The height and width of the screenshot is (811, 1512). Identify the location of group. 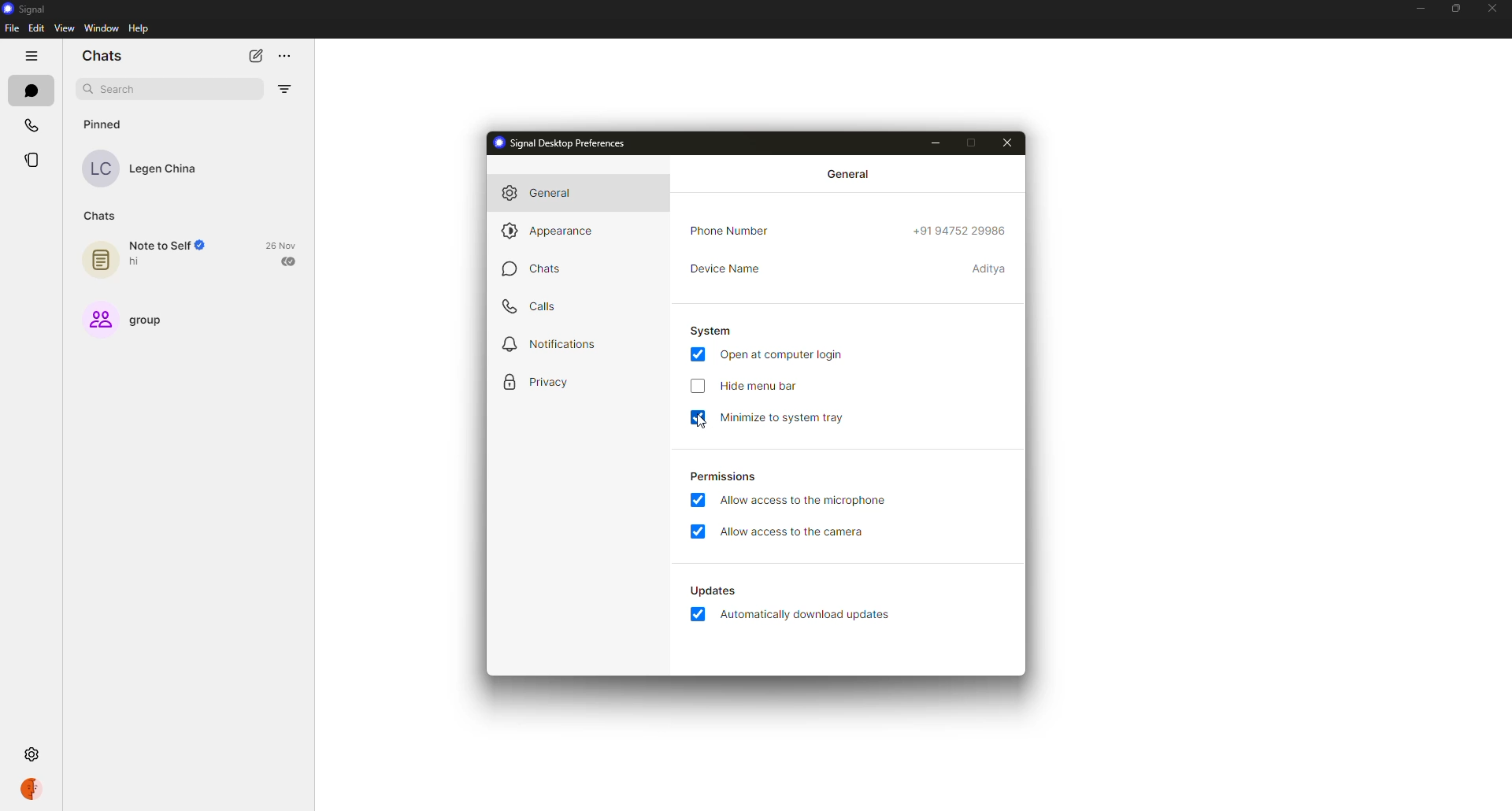
(133, 319).